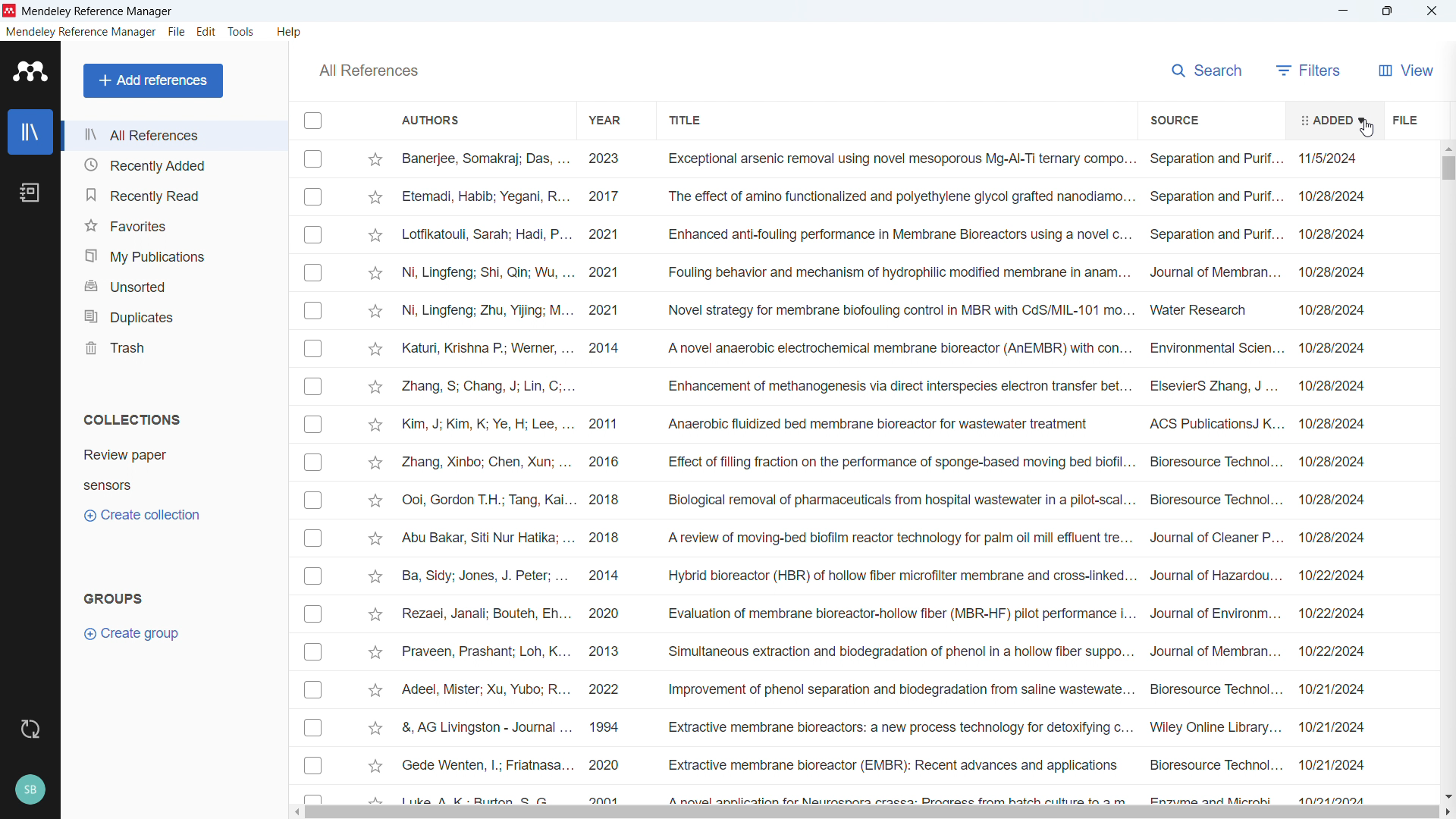 This screenshot has height=819, width=1456. I want to click on date, so click(1333, 475).